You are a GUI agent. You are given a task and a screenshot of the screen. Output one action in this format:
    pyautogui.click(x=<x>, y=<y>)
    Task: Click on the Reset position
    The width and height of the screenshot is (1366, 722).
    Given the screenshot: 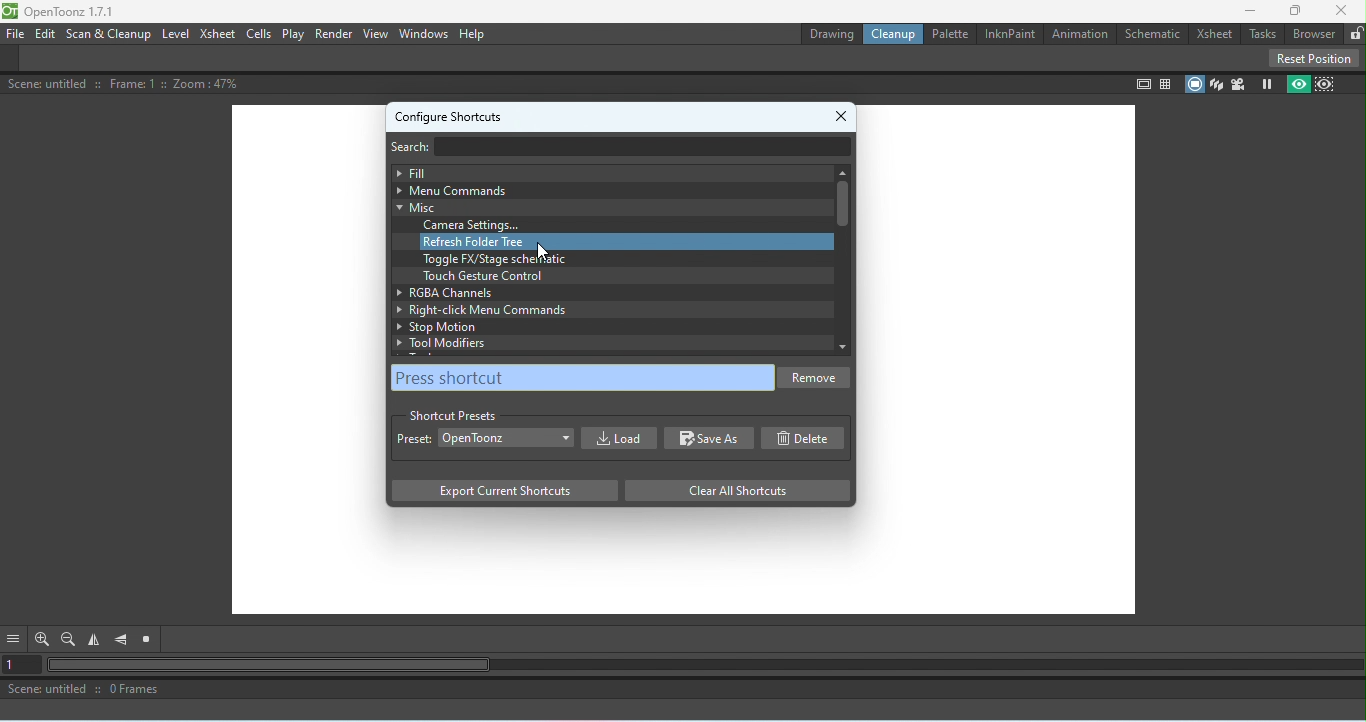 What is the action you would take?
    pyautogui.click(x=1313, y=57)
    